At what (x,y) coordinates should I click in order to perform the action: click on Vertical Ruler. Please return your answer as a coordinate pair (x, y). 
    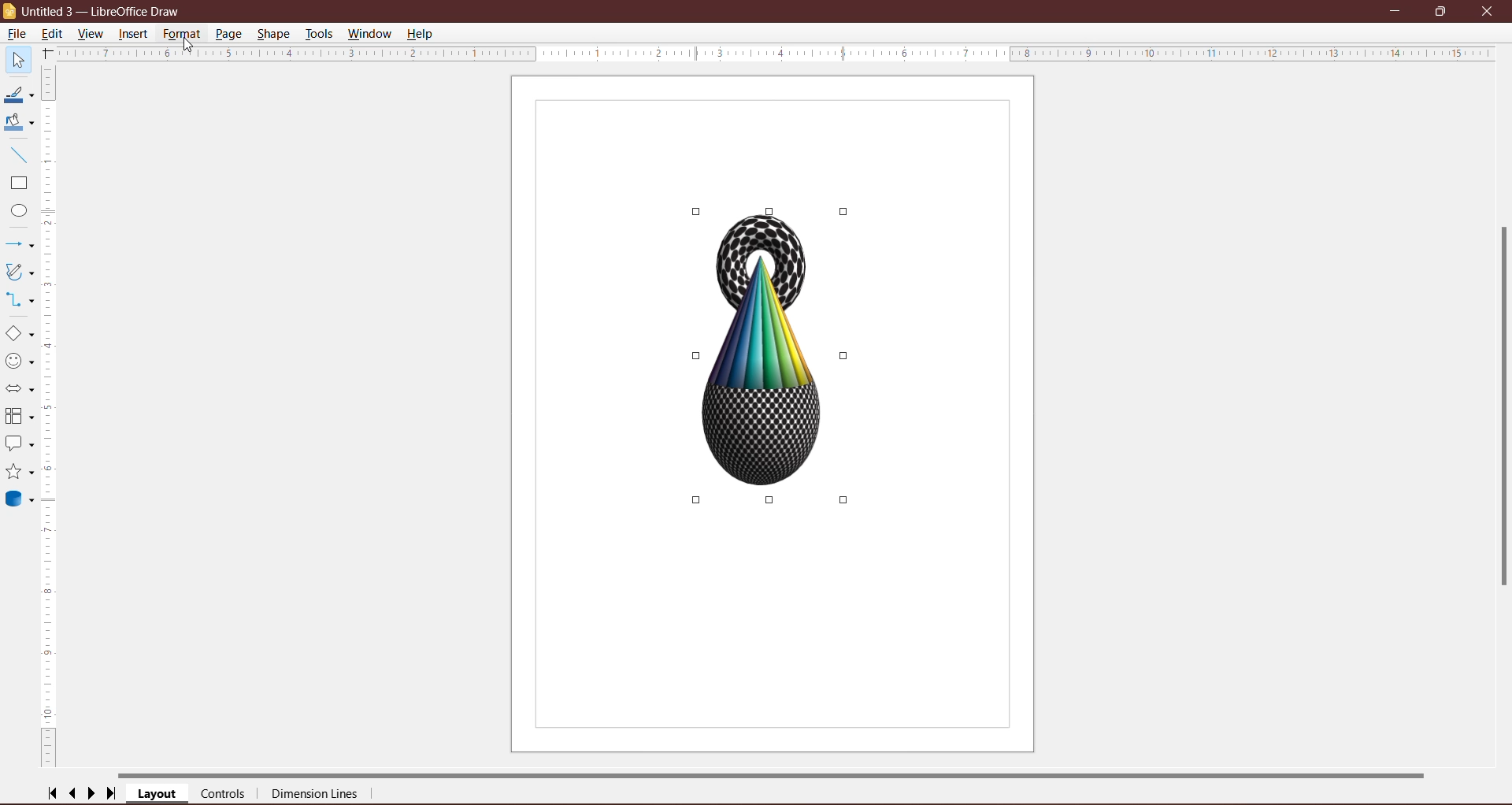
    Looking at the image, I should click on (50, 418).